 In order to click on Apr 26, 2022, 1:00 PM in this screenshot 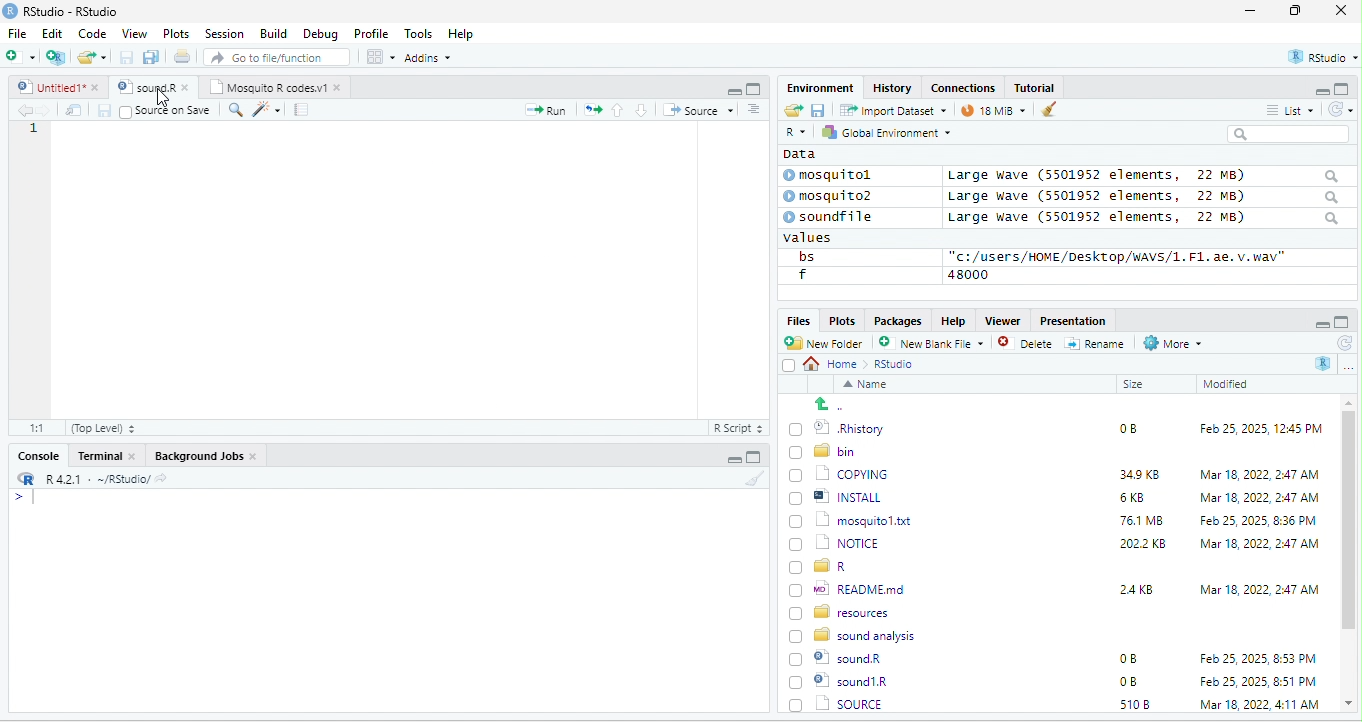, I will do `click(1260, 706)`.